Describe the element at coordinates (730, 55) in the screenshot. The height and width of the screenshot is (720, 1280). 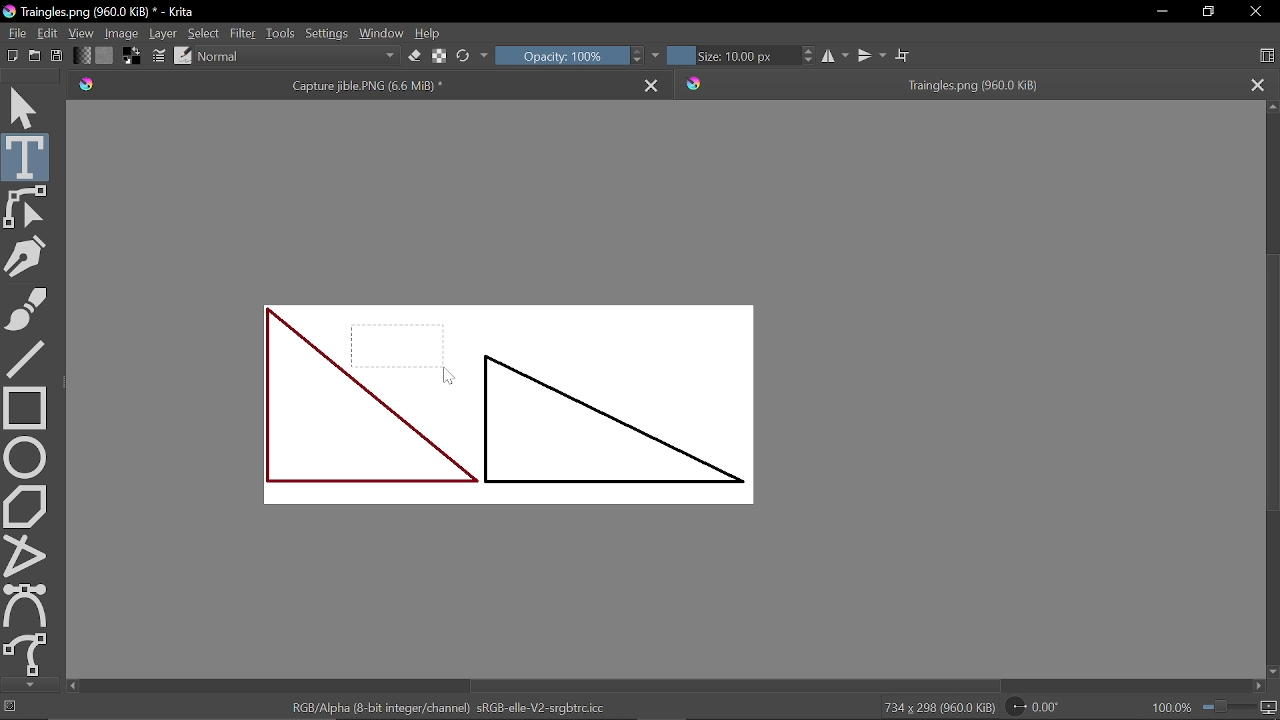
I see `Size` at that location.